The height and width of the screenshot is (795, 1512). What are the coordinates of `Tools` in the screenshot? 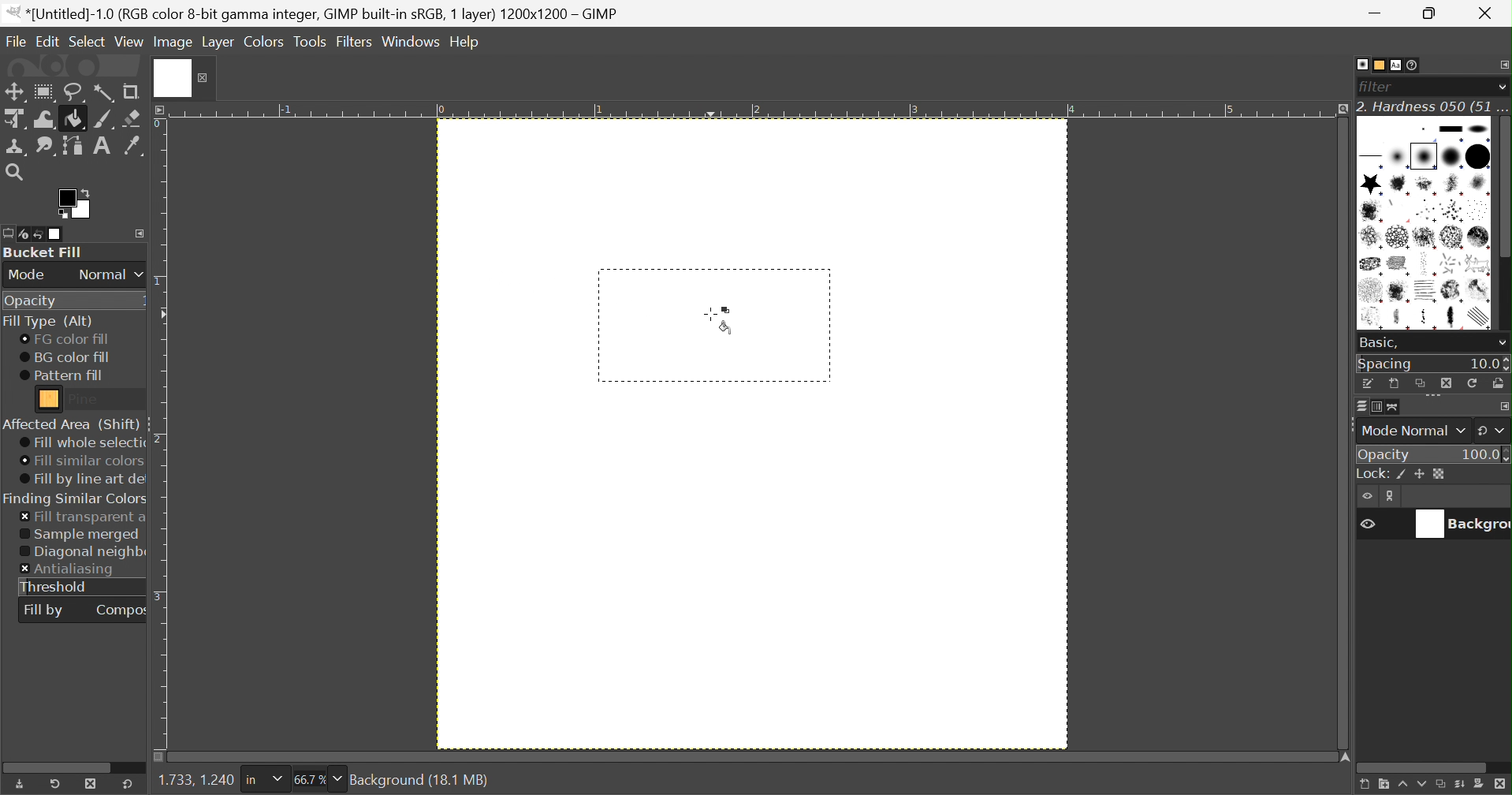 It's located at (311, 42).